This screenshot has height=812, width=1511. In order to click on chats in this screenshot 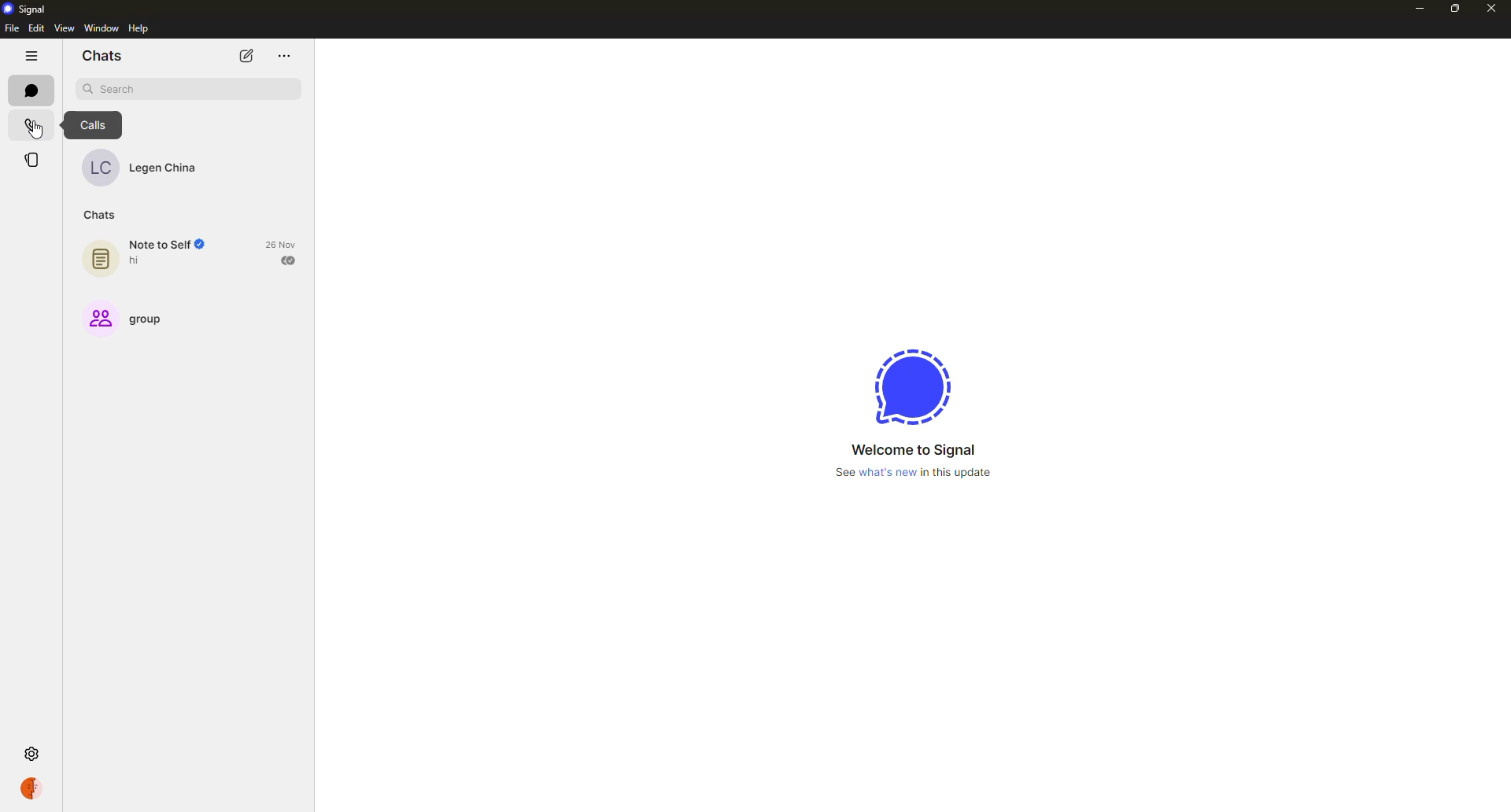, I will do `click(31, 91)`.